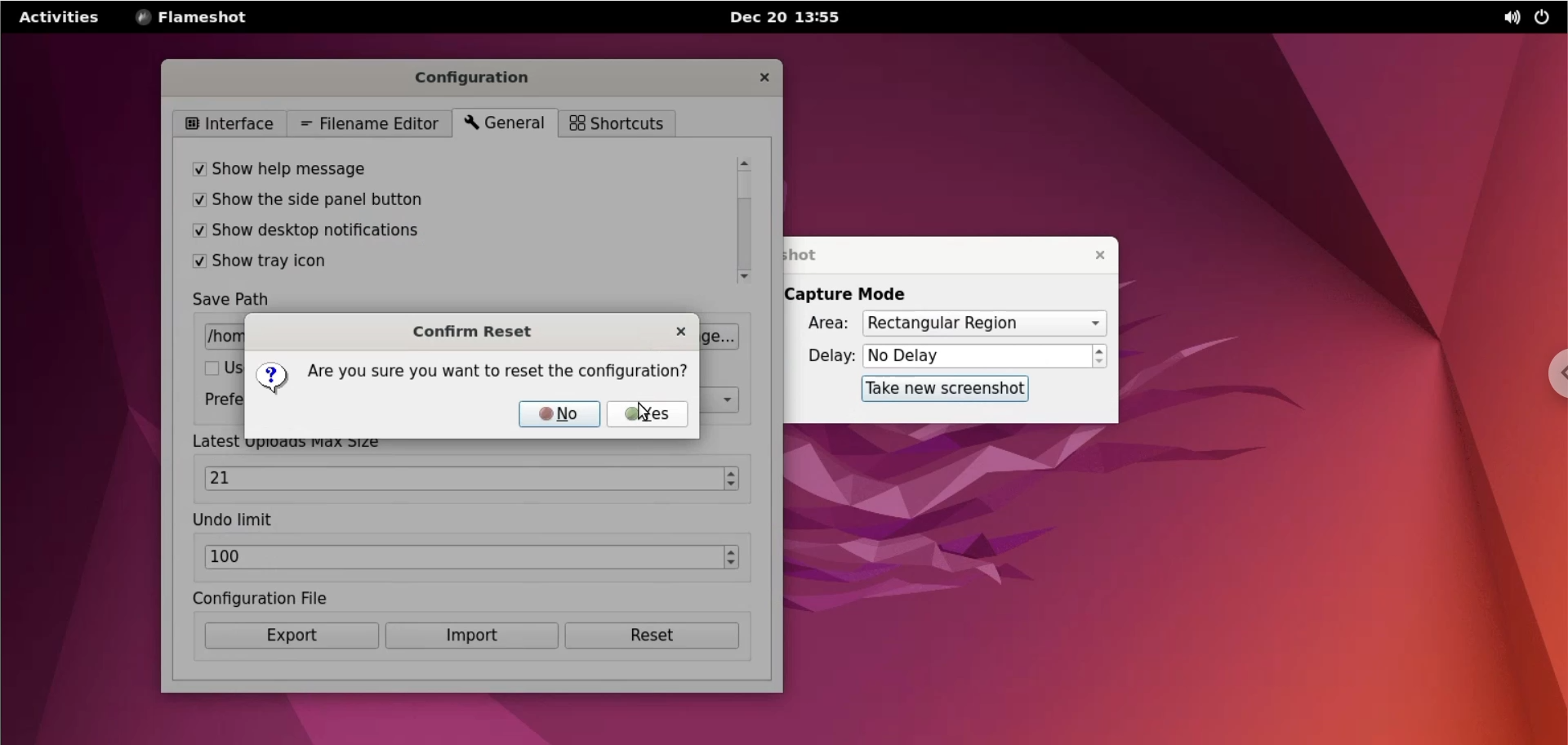 This screenshot has width=1568, height=745. Describe the element at coordinates (617, 123) in the screenshot. I see `shortcuts` at that location.